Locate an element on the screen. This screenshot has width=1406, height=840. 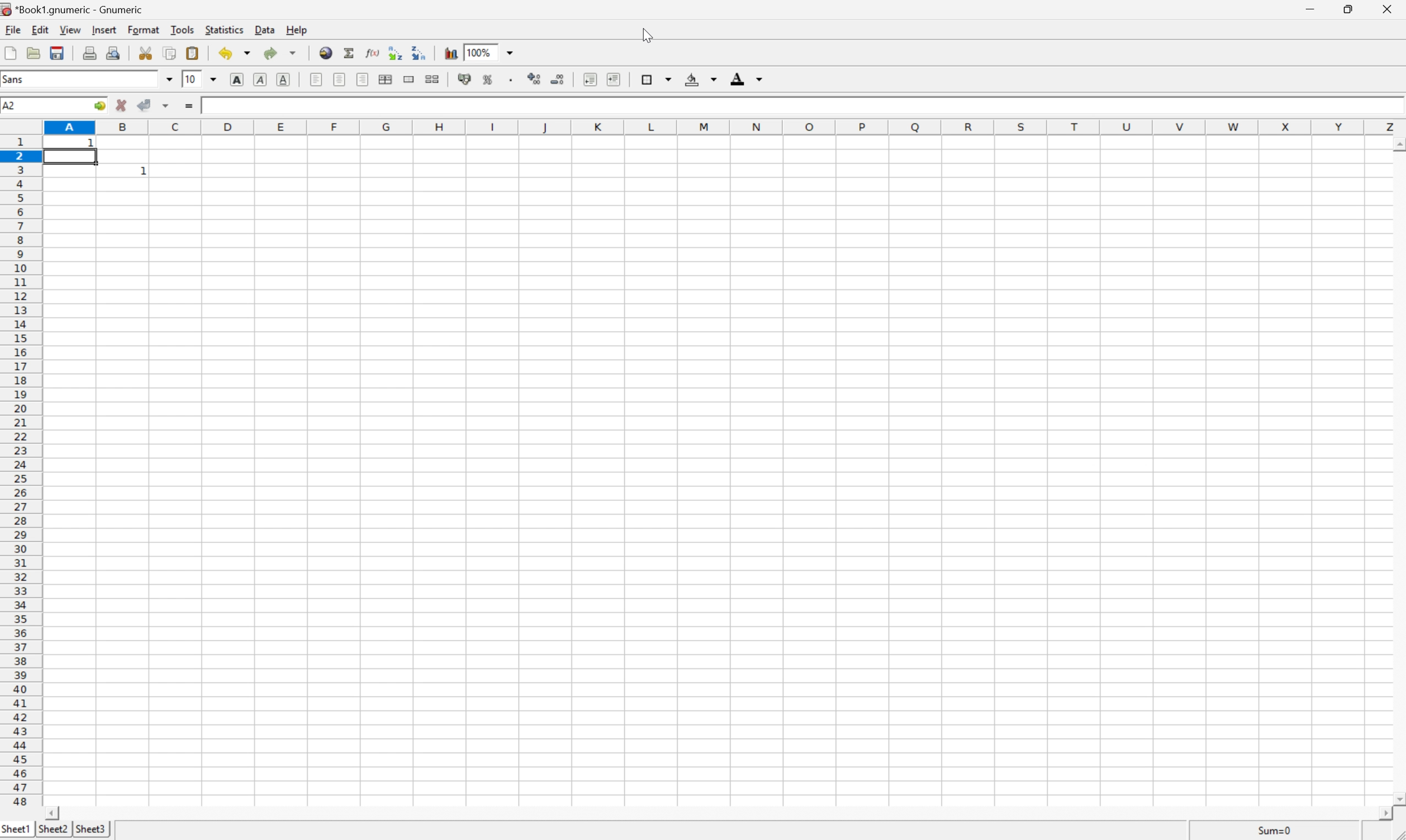
insert chart is located at coordinates (451, 52).